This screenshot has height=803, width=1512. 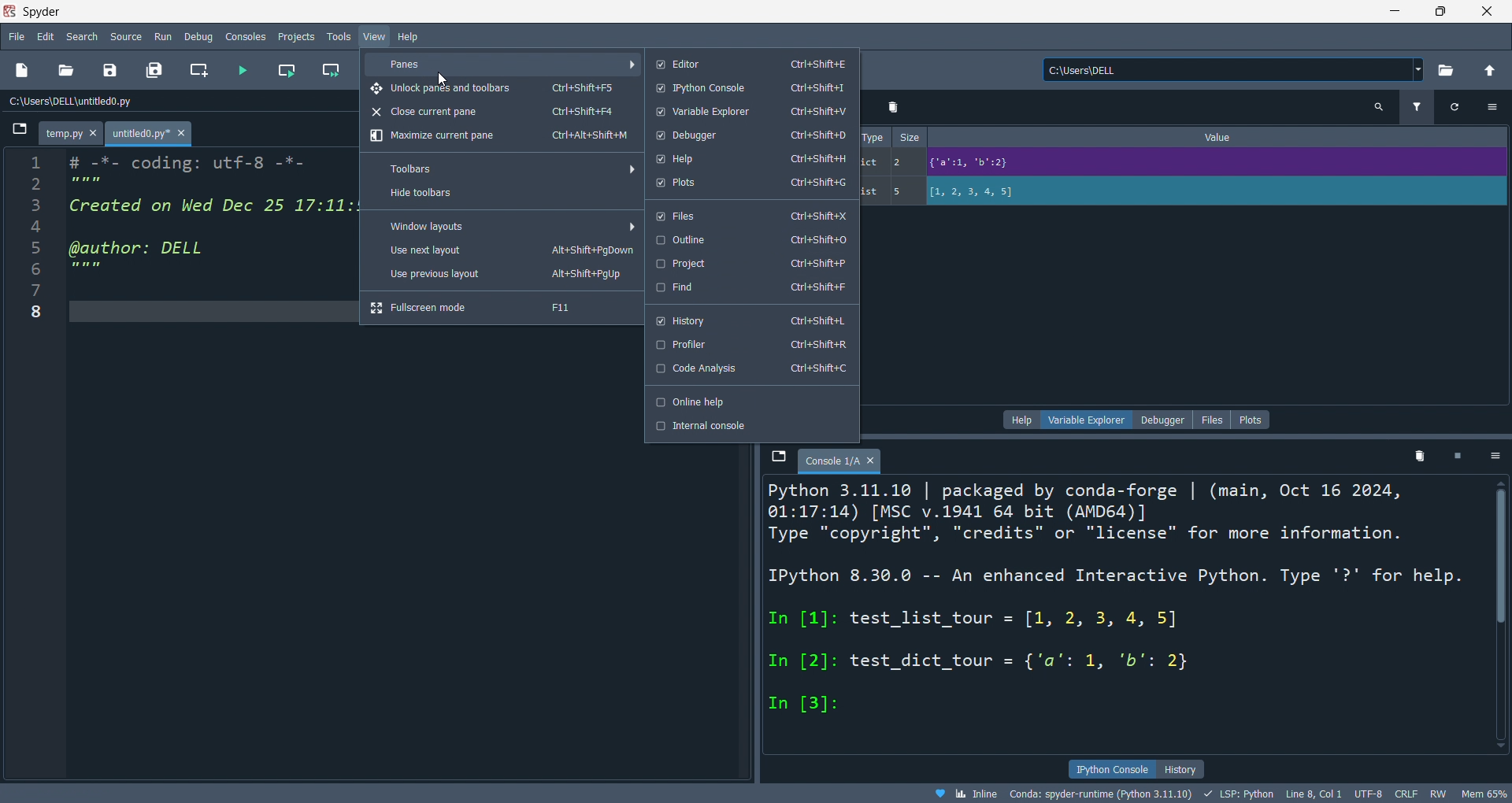 What do you see at coordinates (286, 71) in the screenshot?
I see `run cell` at bounding box center [286, 71].